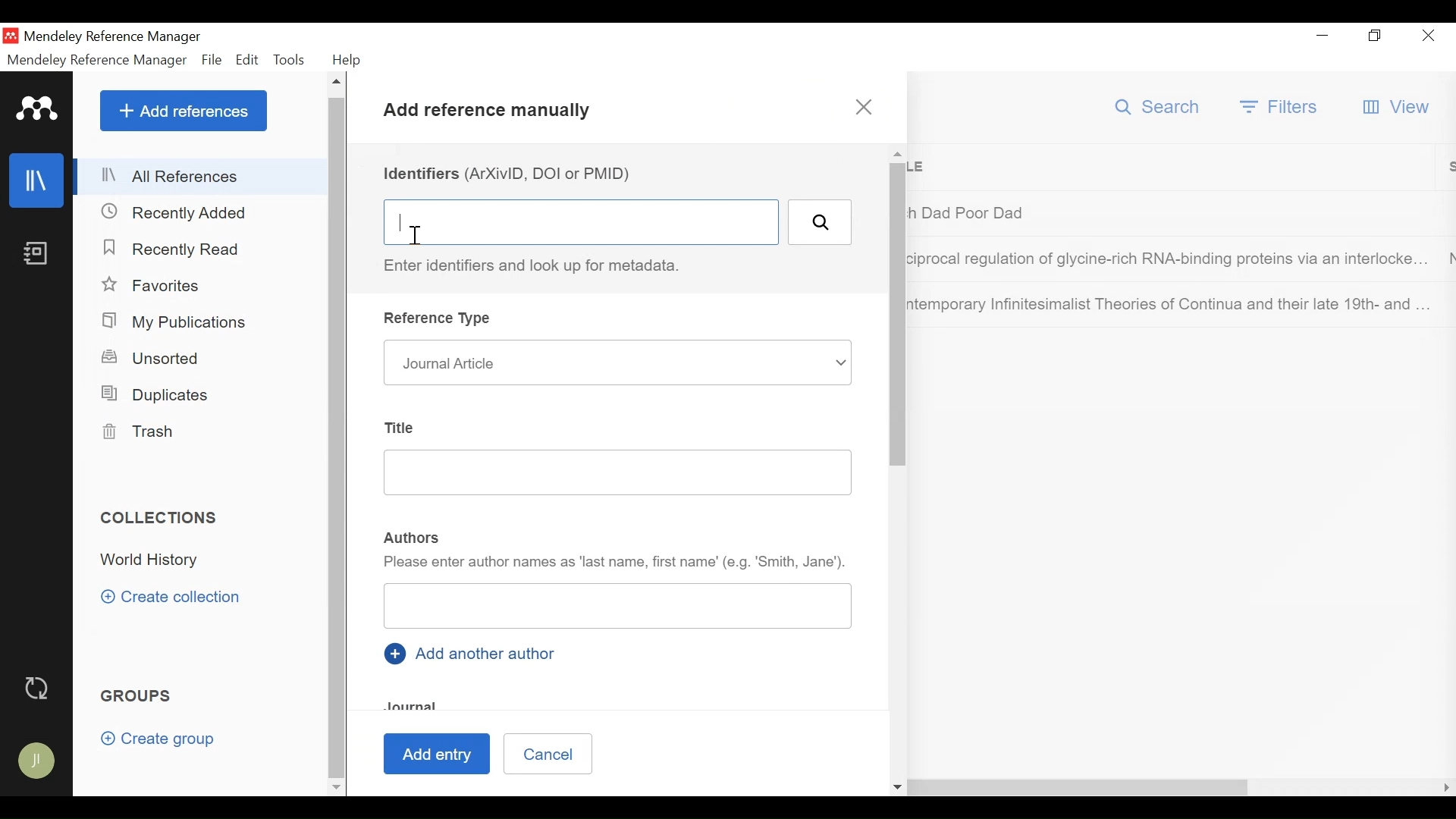 Image resolution: width=1456 pixels, height=819 pixels. I want to click on Groups, so click(140, 696).